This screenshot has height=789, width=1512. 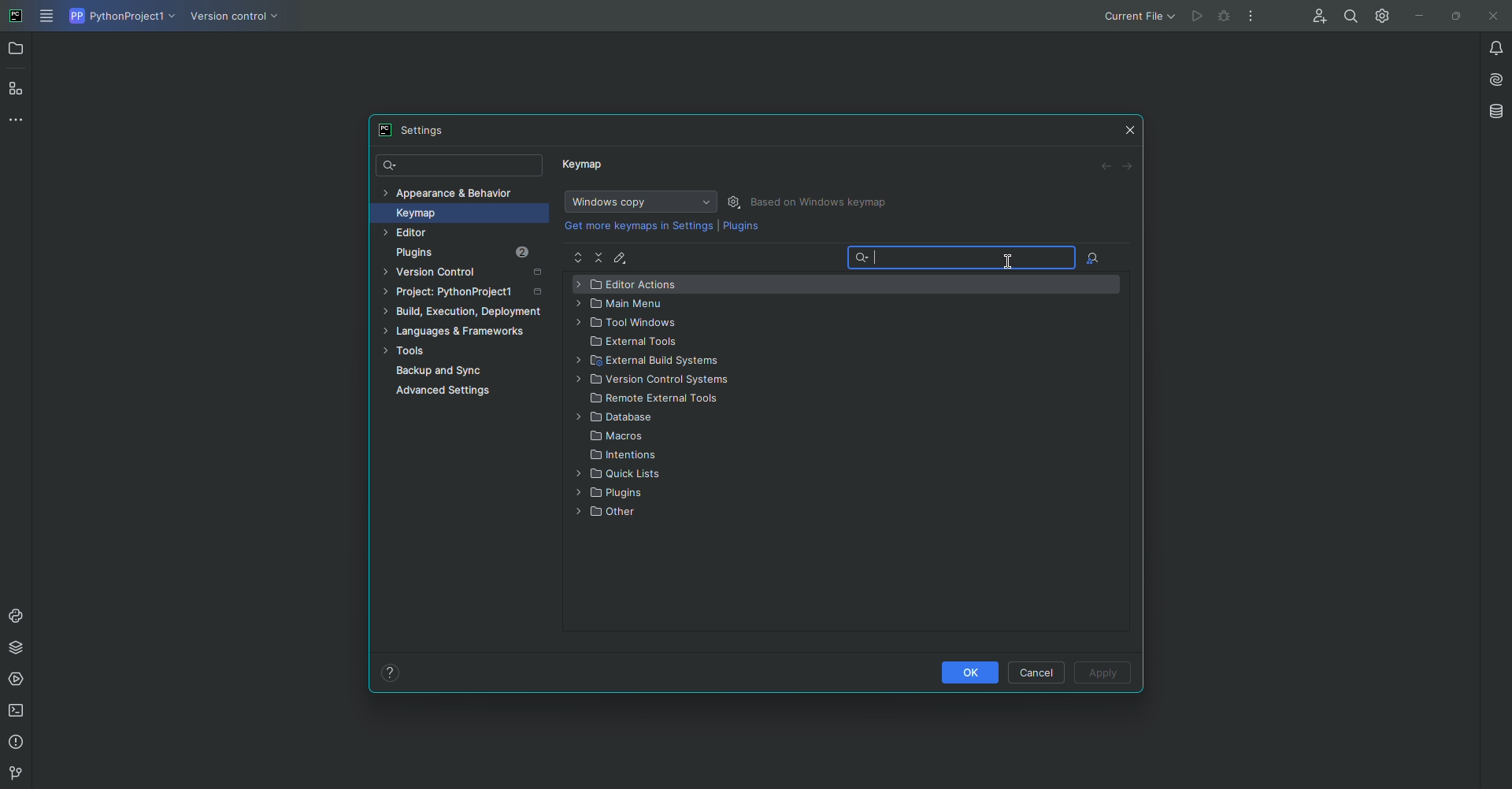 I want to click on Based on Windows Keymap, so click(x=822, y=202).